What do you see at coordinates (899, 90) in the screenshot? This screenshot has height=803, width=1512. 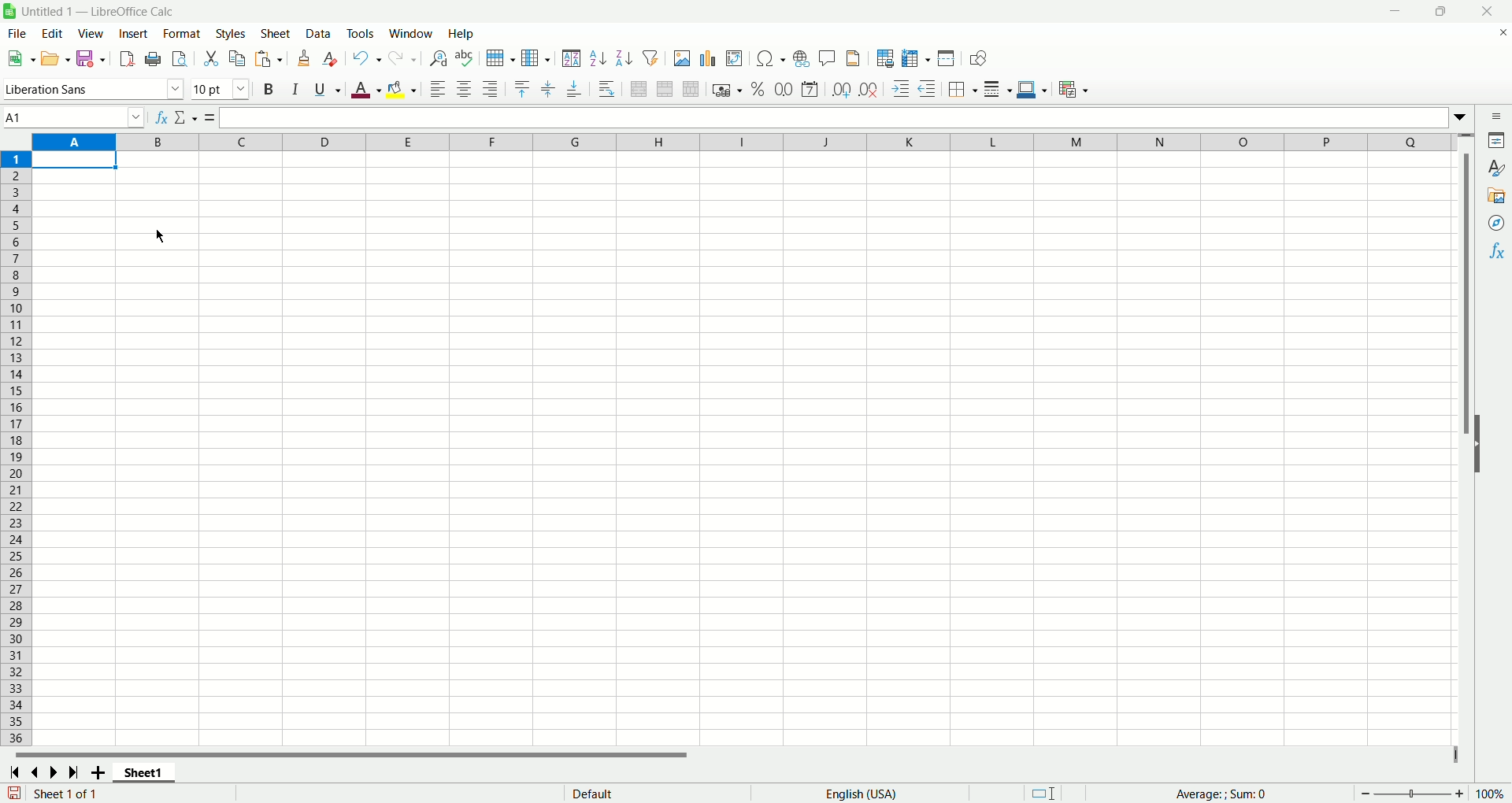 I see `increase indent` at bounding box center [899, 90].